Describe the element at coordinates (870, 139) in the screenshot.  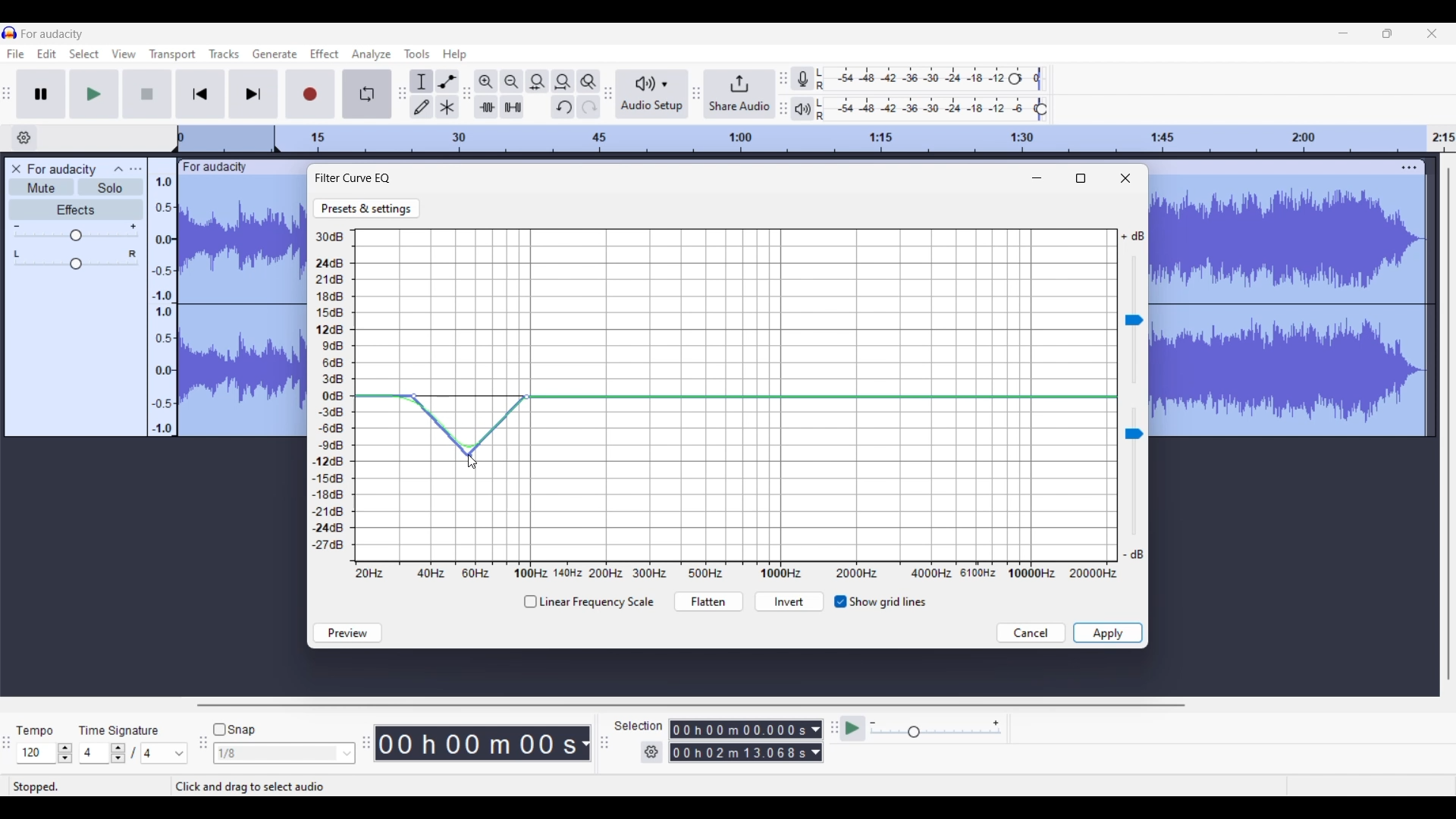
I see `Scale to track length of audio` at that location.